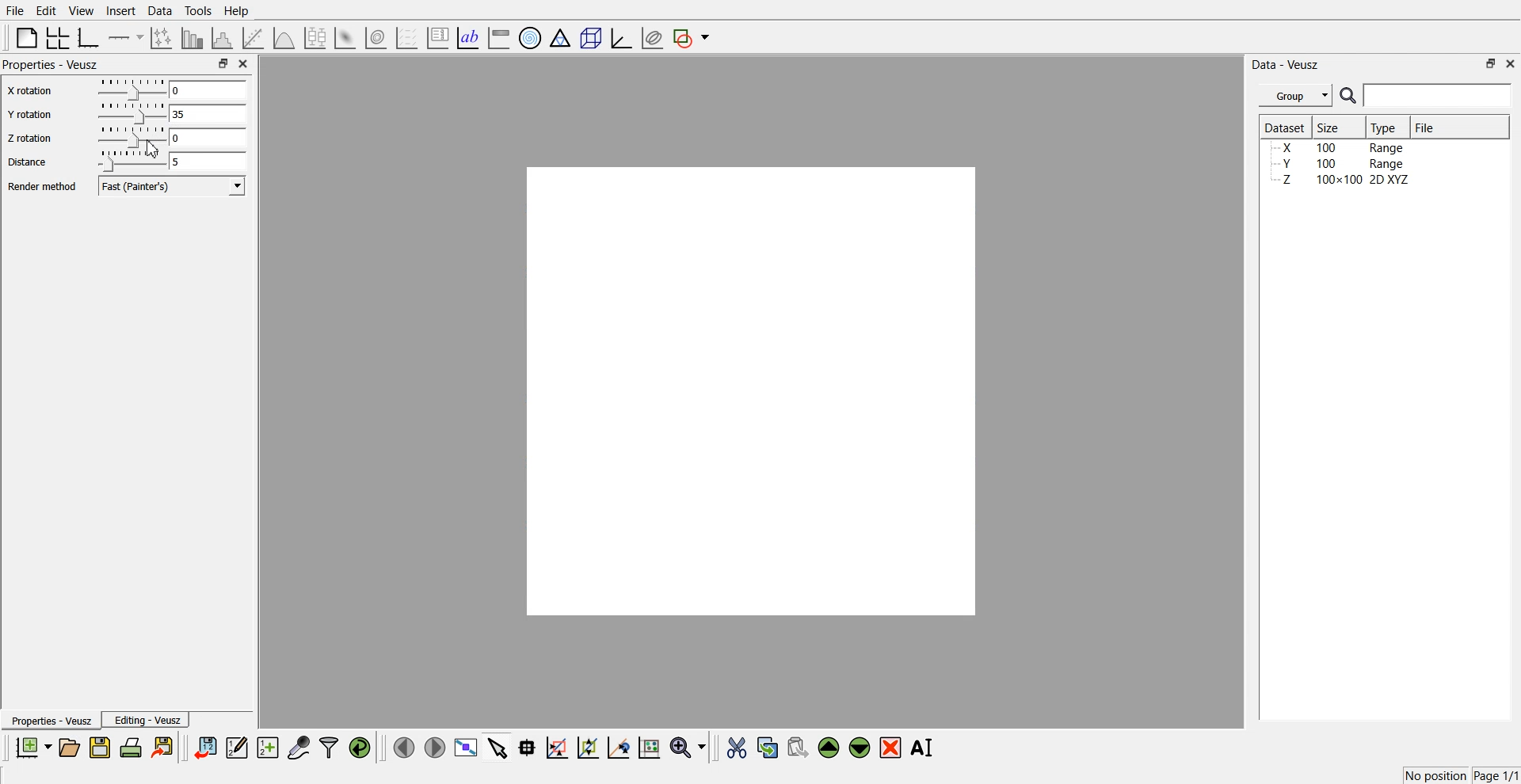 This screenshot has height=784, width=1521. I want to click on Zoom function menu, so click(690, 747).